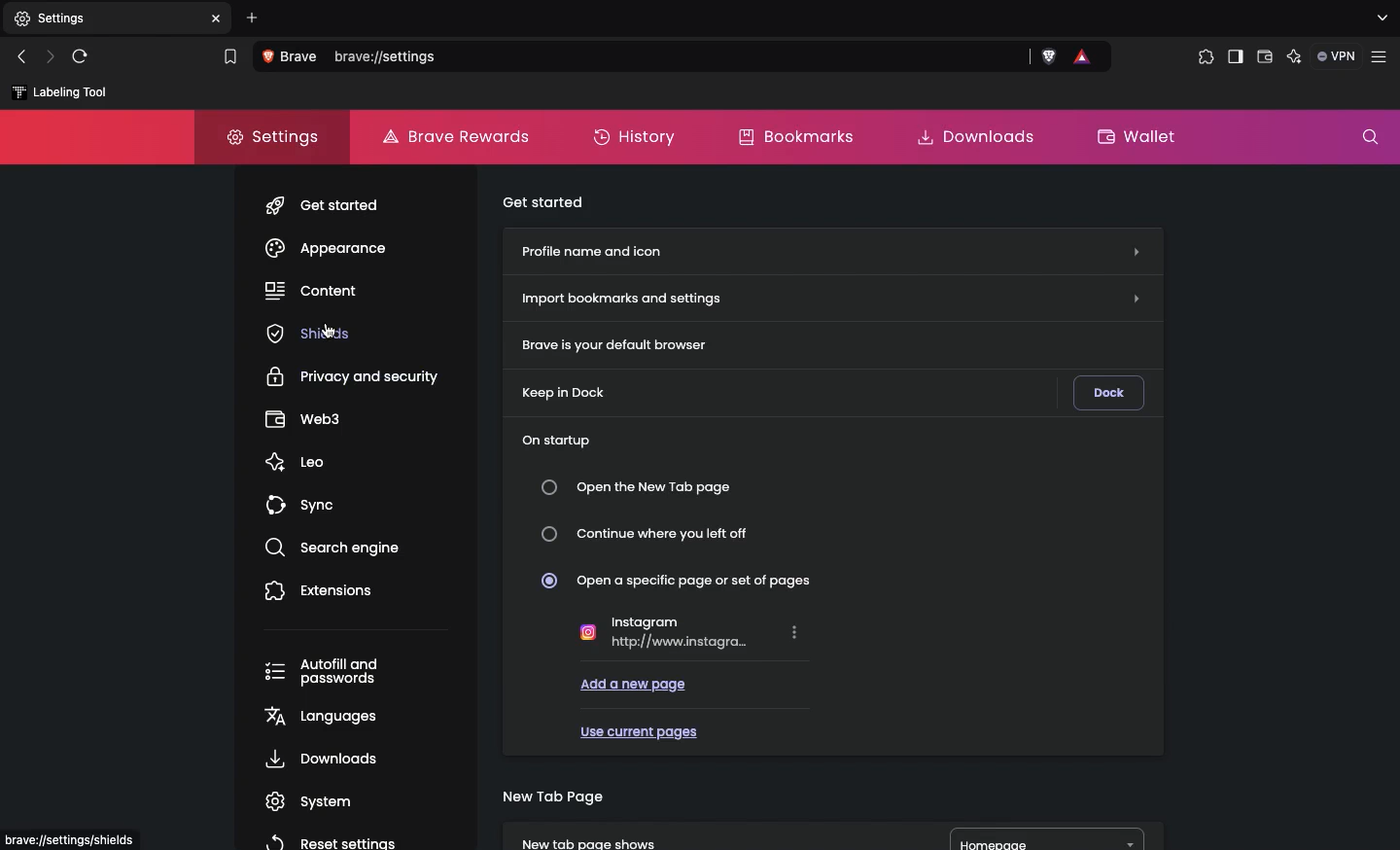 This screenshot has height=850, width=1400. Describe the element at coordinates (335, 249) in the screenshot. I see `Appearance` at that location.